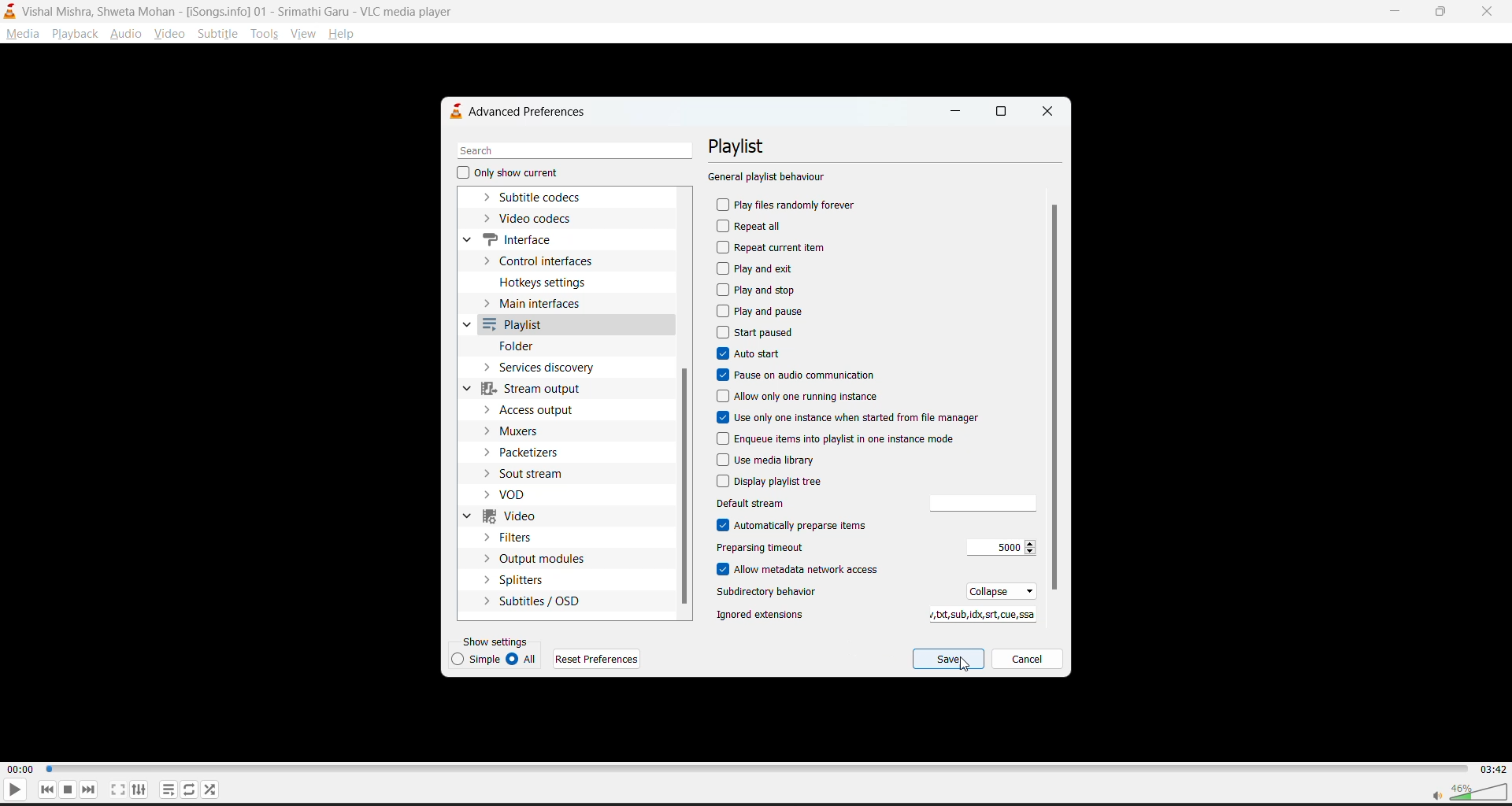  I want to click on hotkeys settings, so click(543, 285).